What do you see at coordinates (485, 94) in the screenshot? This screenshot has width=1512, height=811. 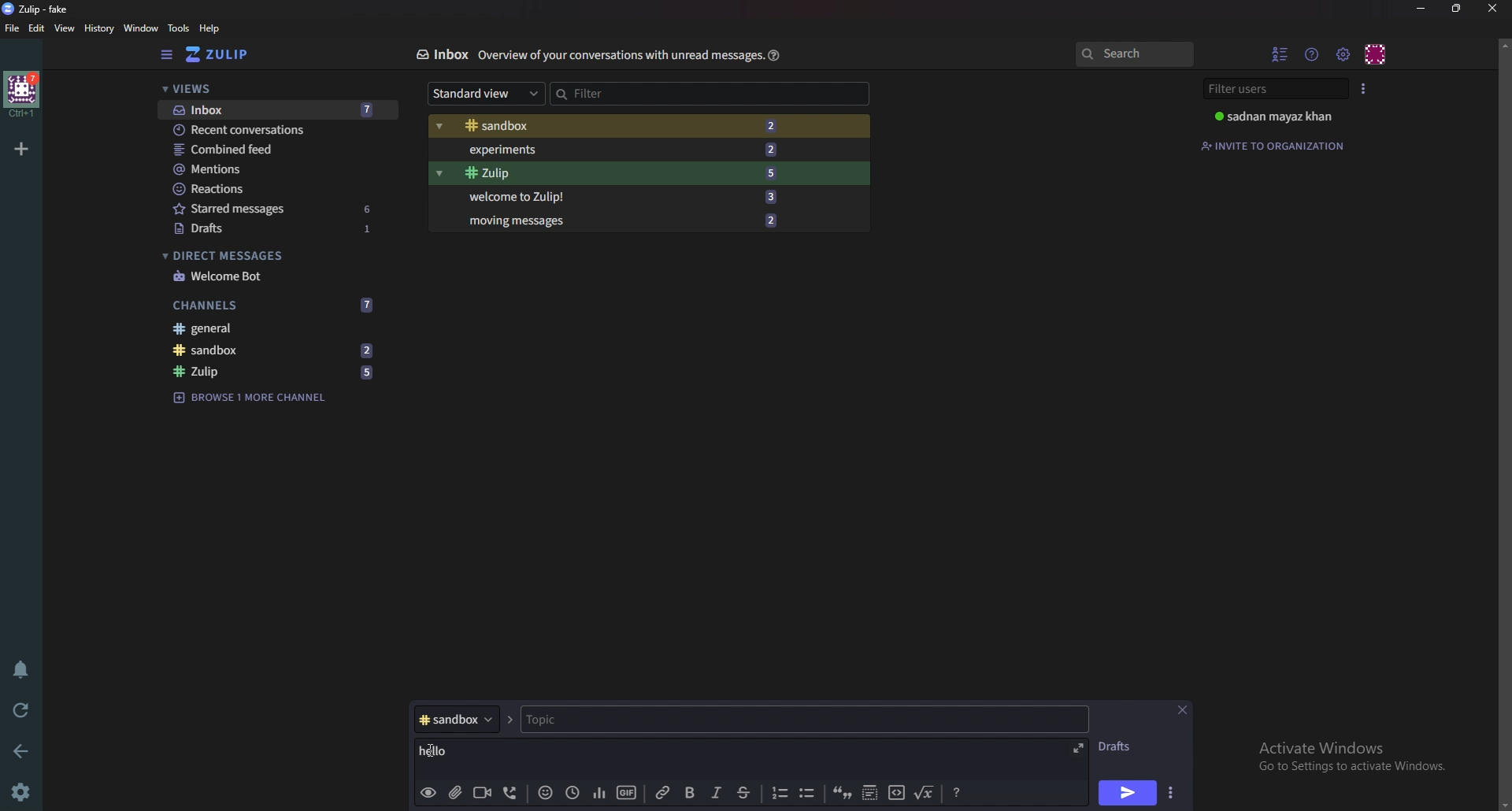 I see `Standard view` at bounding box center [485, 94].